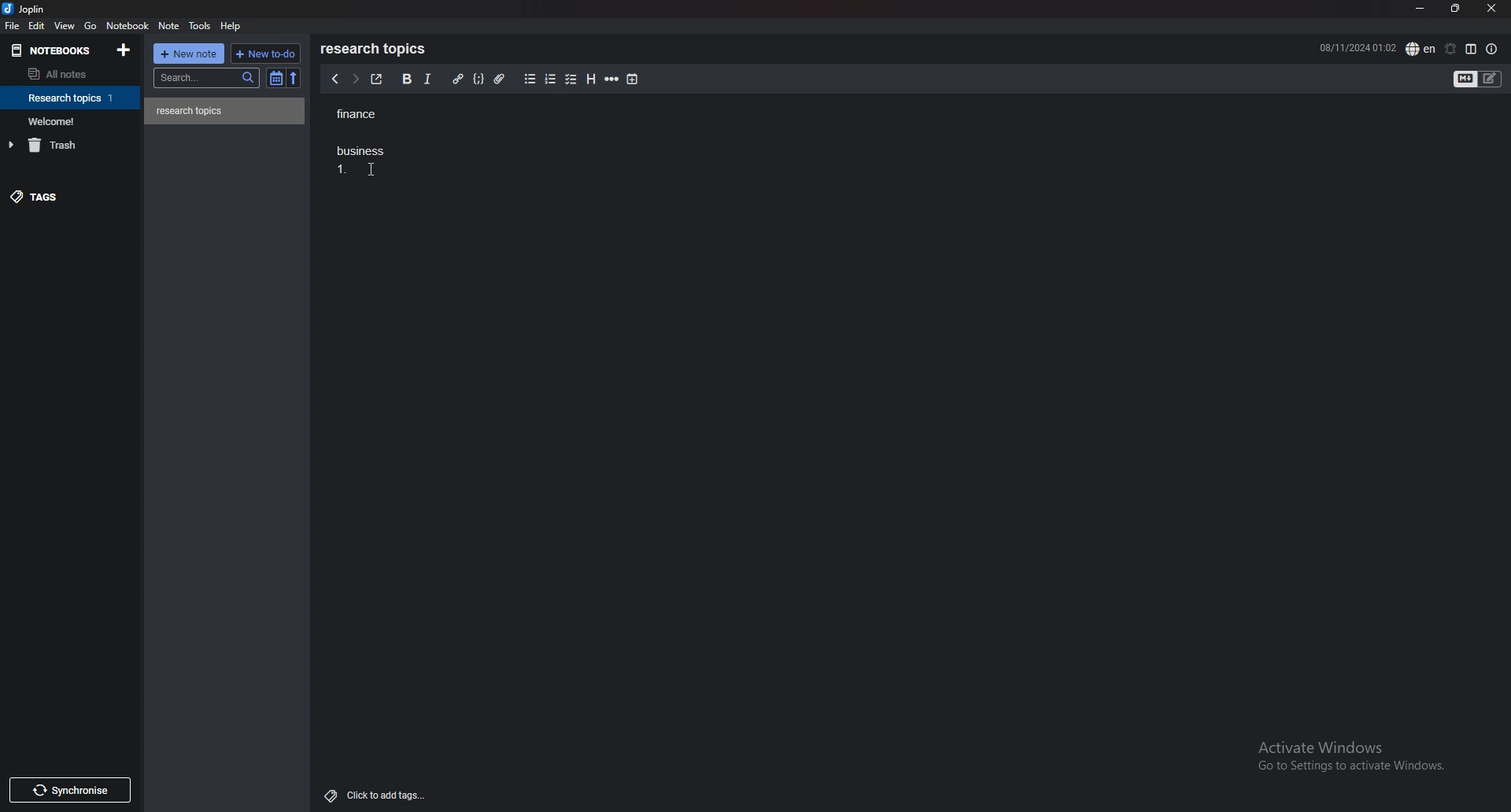  What do you see at coordinates (25, 10) in the screenshot?
I see `joplin` at bounding box center [25, 10].